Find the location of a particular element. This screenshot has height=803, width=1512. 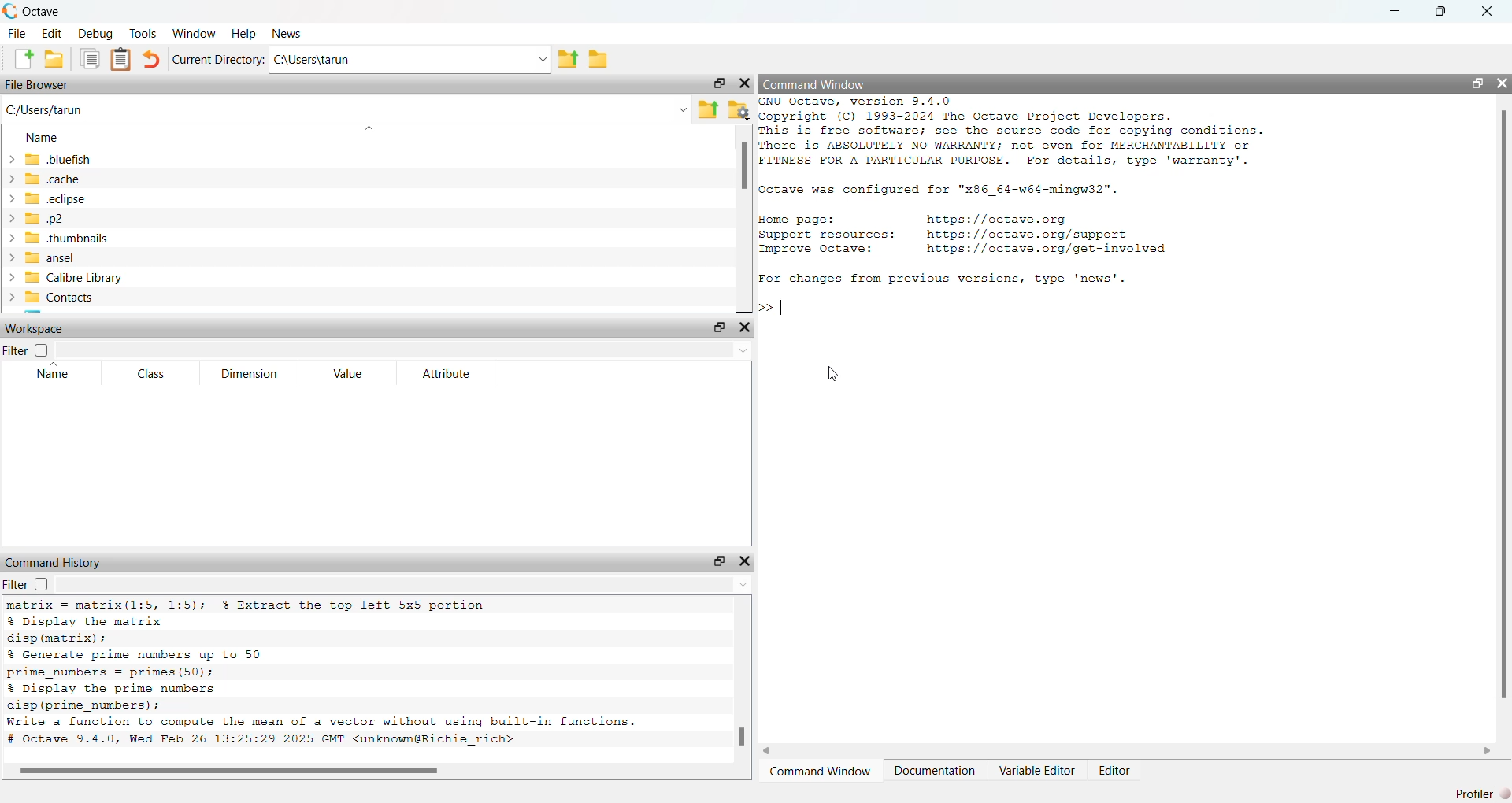

attribute is located at coordinates (447, 374).